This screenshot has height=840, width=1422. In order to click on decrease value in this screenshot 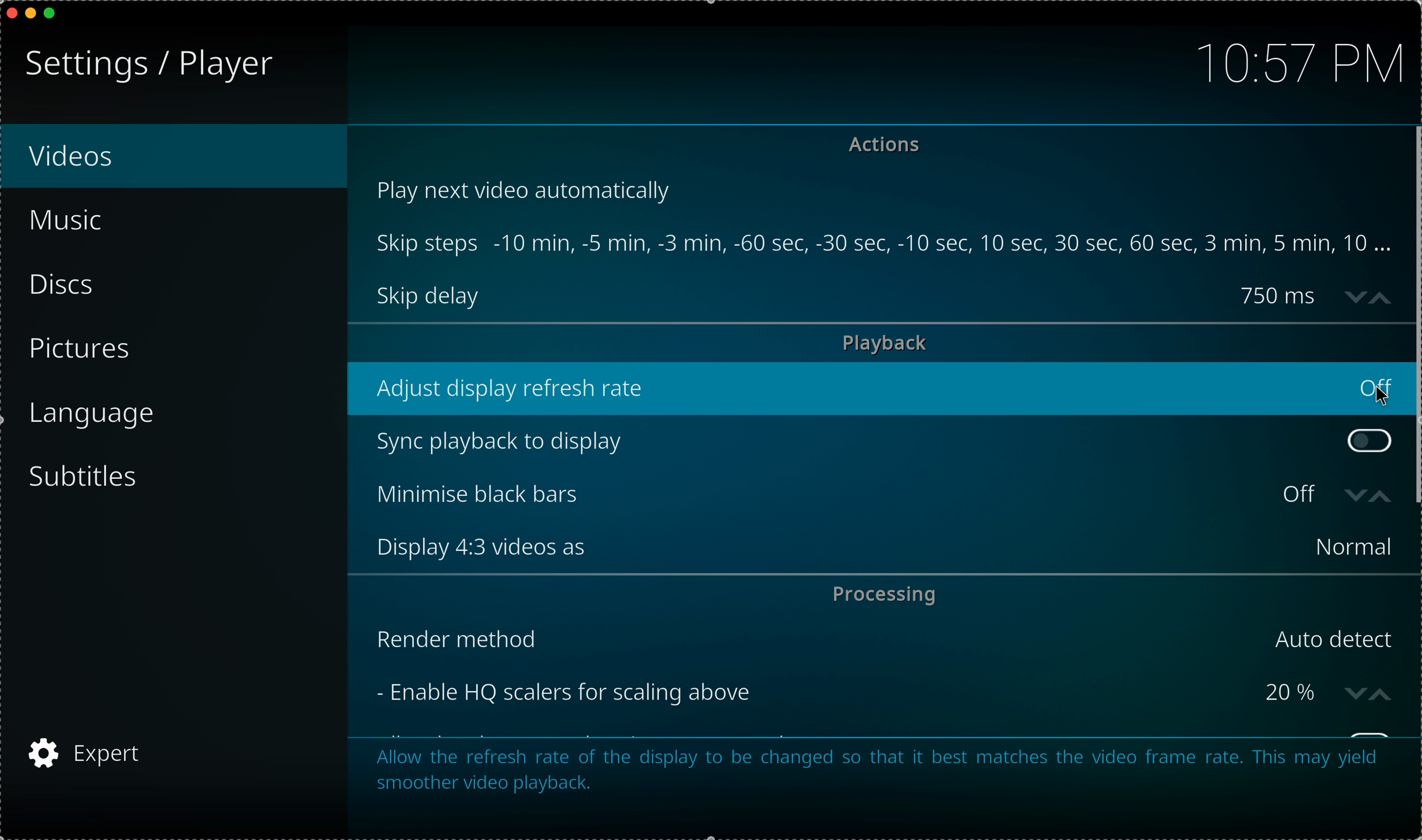, I will do `click(1355, 692)`.